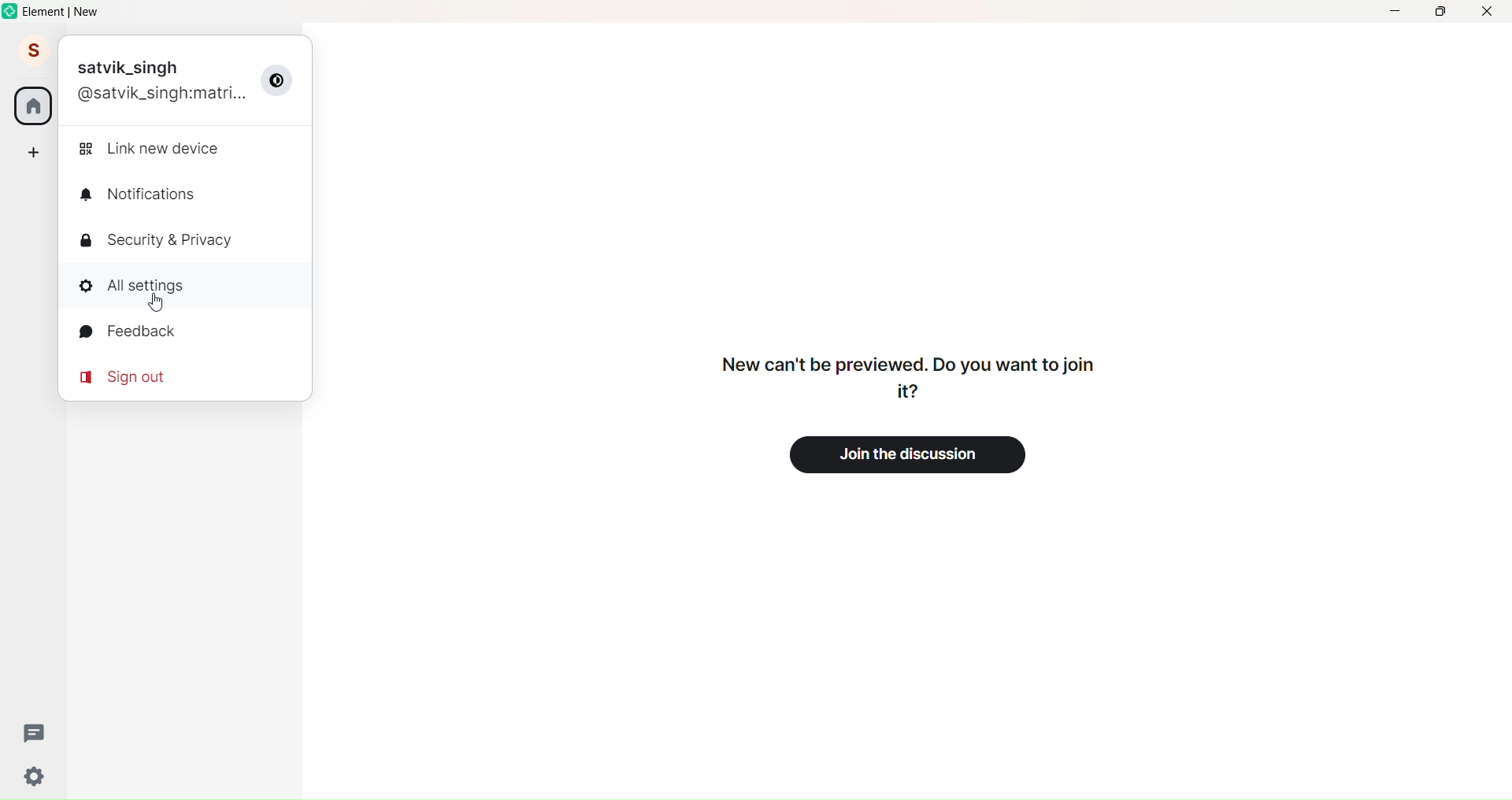  What do you see at coordinates (148, 286) in the screenshot?
I see `All settings` at bounding box center [148, 286].